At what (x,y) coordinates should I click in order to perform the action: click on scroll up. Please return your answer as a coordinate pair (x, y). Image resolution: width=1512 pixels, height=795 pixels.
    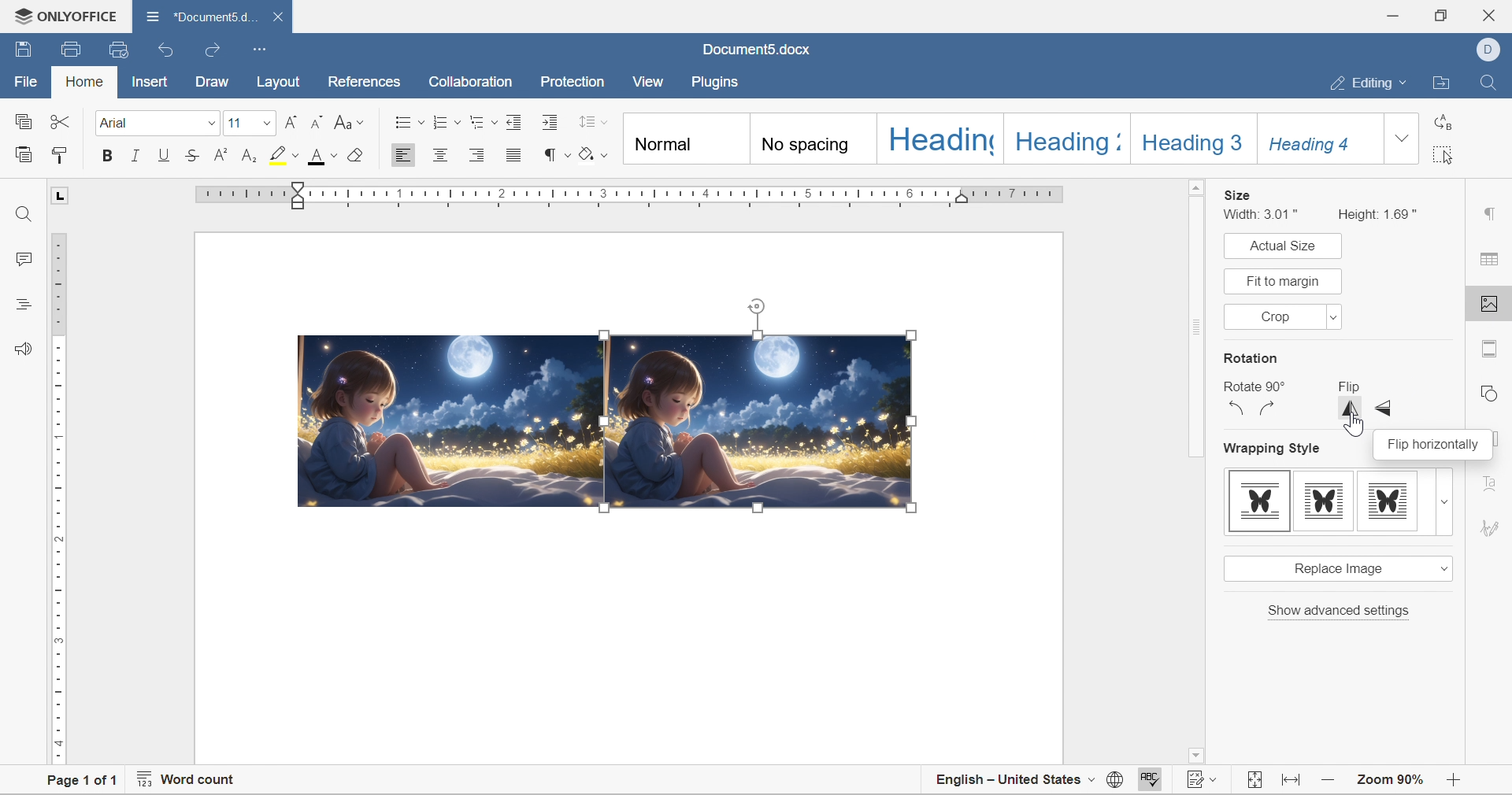
    Looking at the image, I should click on (1459, 186).